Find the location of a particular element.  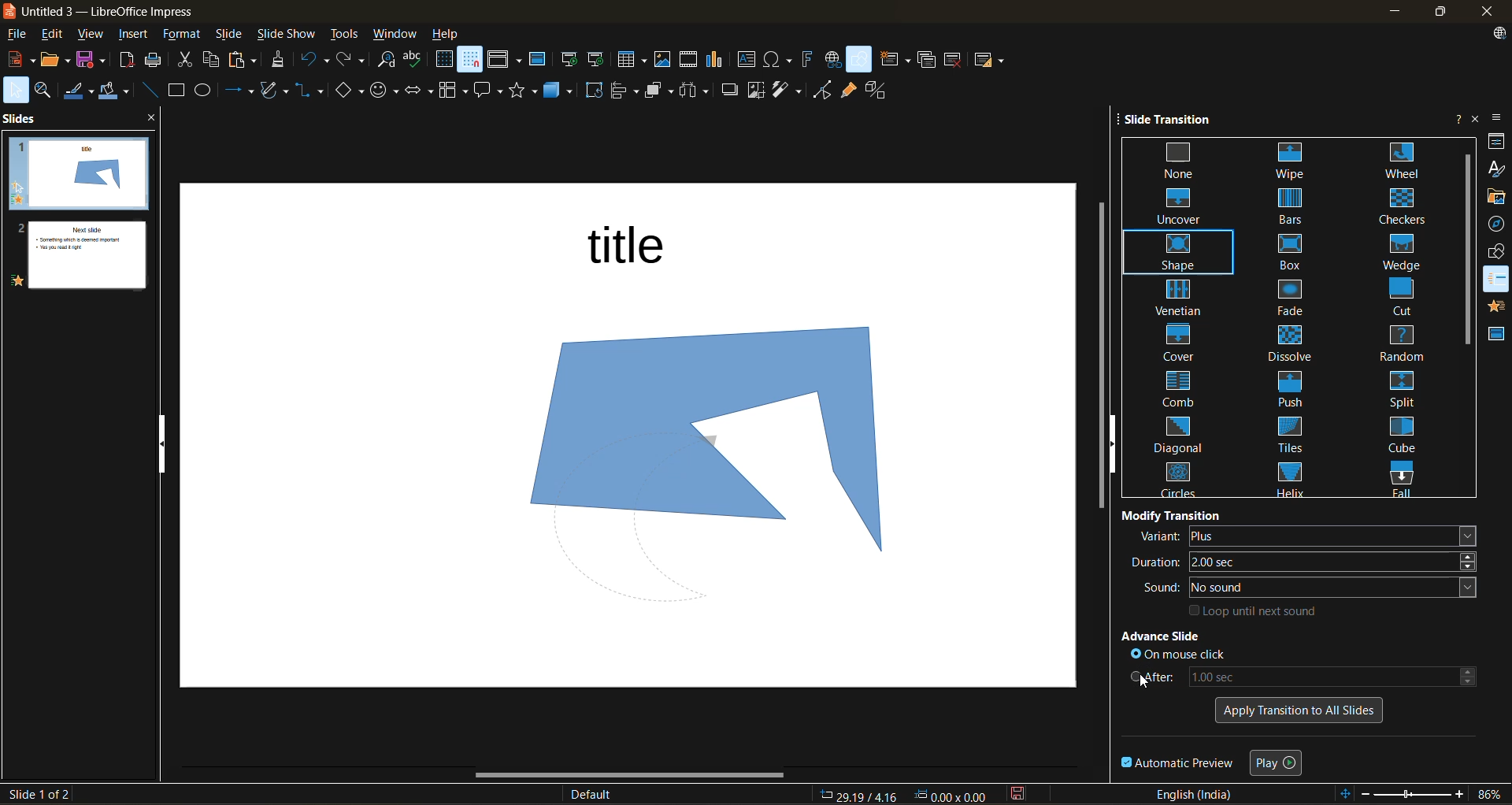

help is located at coordinates (454, 33).